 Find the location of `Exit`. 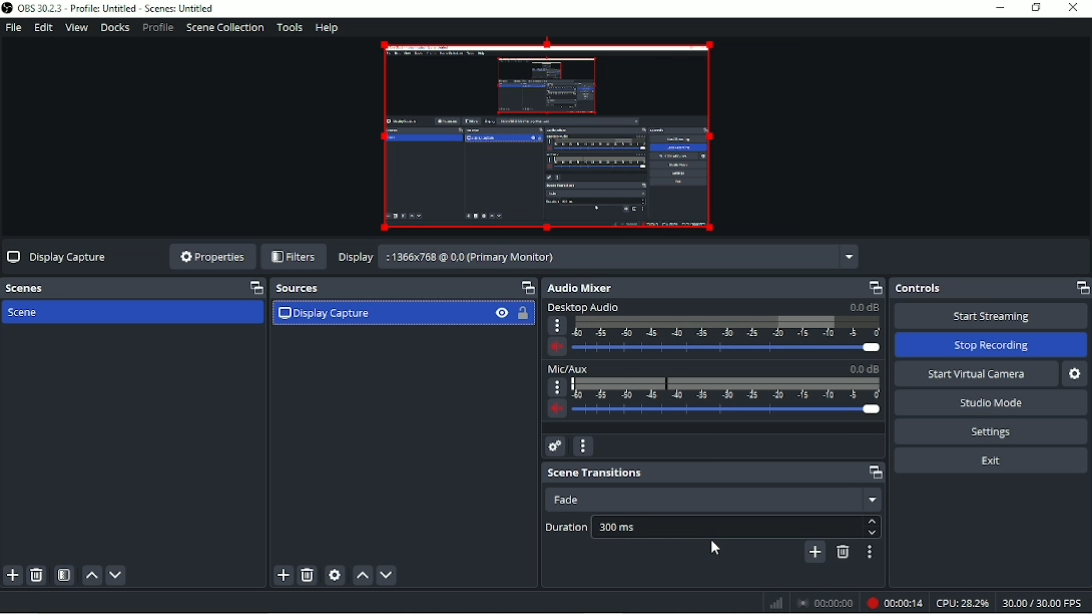

Exit is located at coordinates (990, 461).